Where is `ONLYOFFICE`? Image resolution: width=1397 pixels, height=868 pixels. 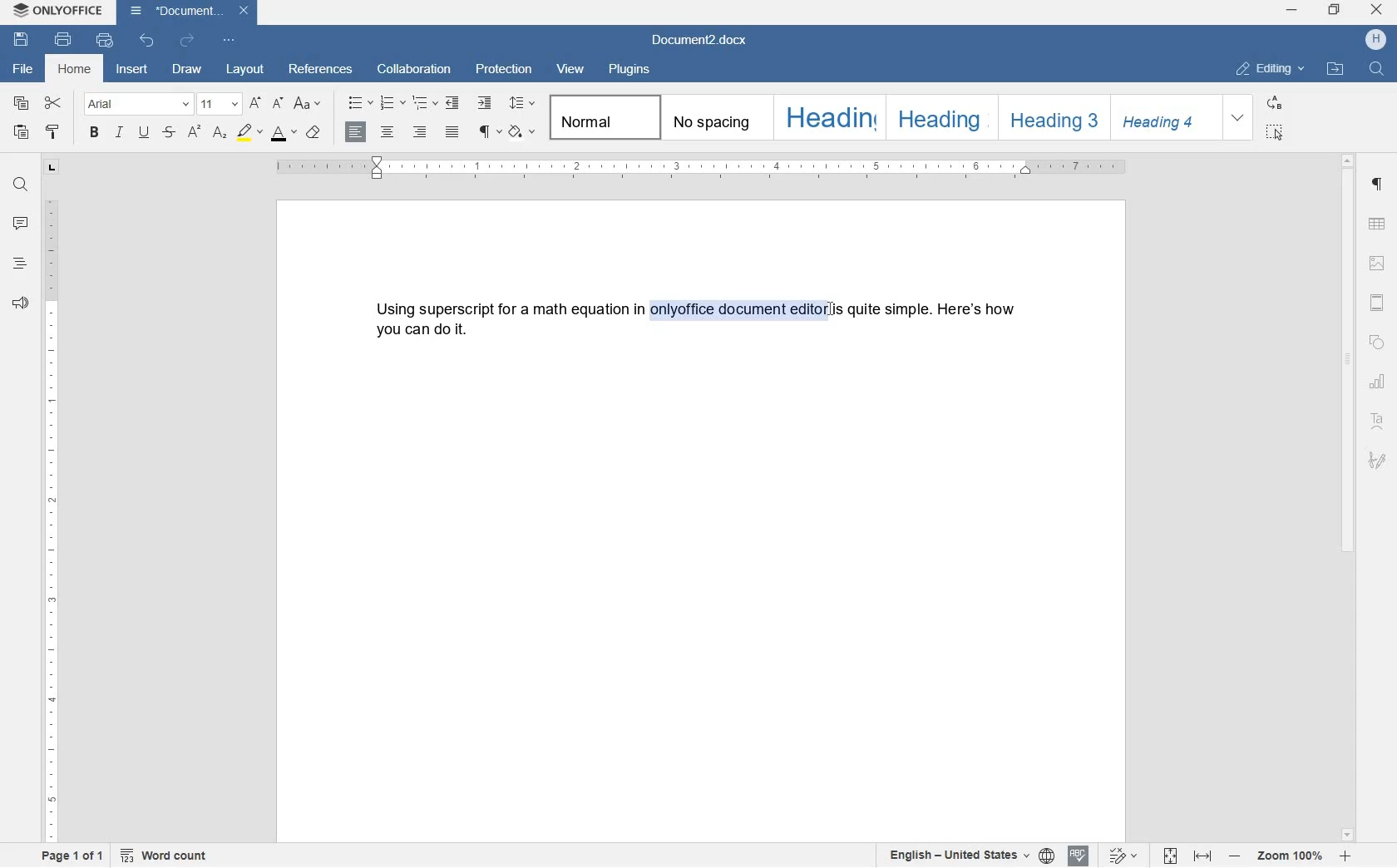
ONLYOFFICE is located at coordinates (57, 11).